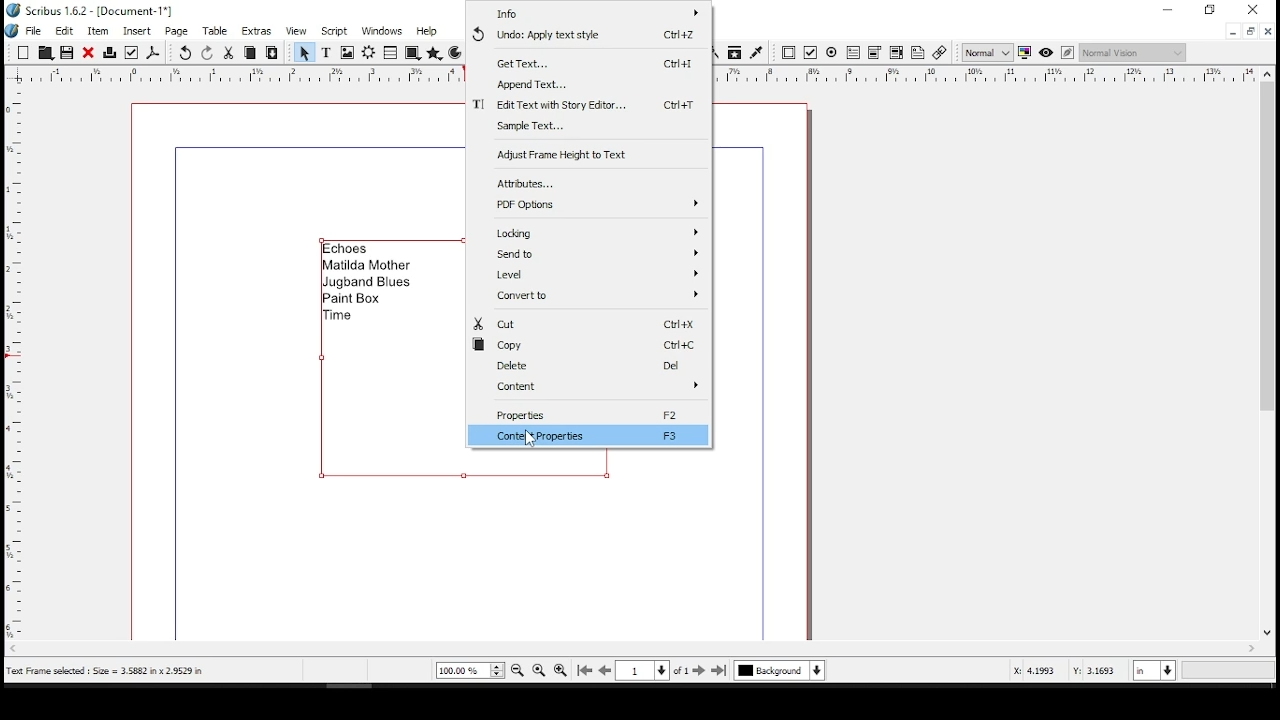  I want to click on table, so click(218, 31).